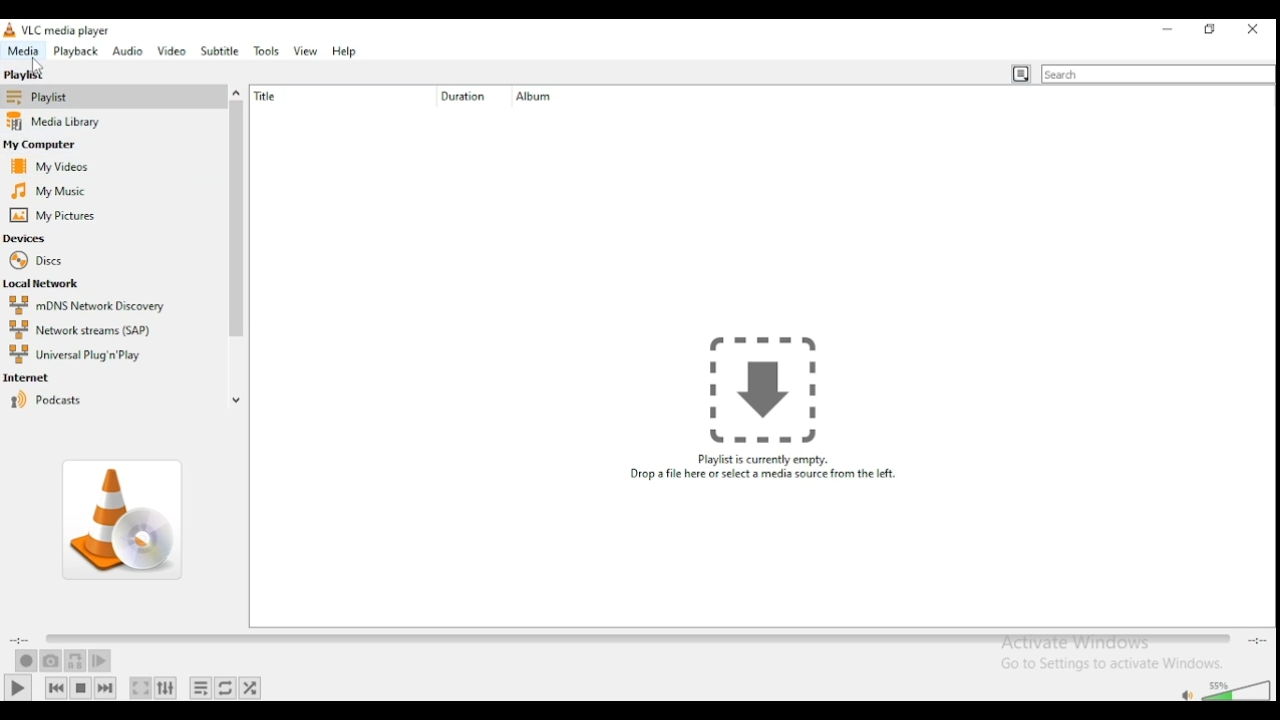 The width and height of the screenshot is (1280, 720). I want to click on loop between point A and point B continuously. Click to add point A, so click(155, 1358).